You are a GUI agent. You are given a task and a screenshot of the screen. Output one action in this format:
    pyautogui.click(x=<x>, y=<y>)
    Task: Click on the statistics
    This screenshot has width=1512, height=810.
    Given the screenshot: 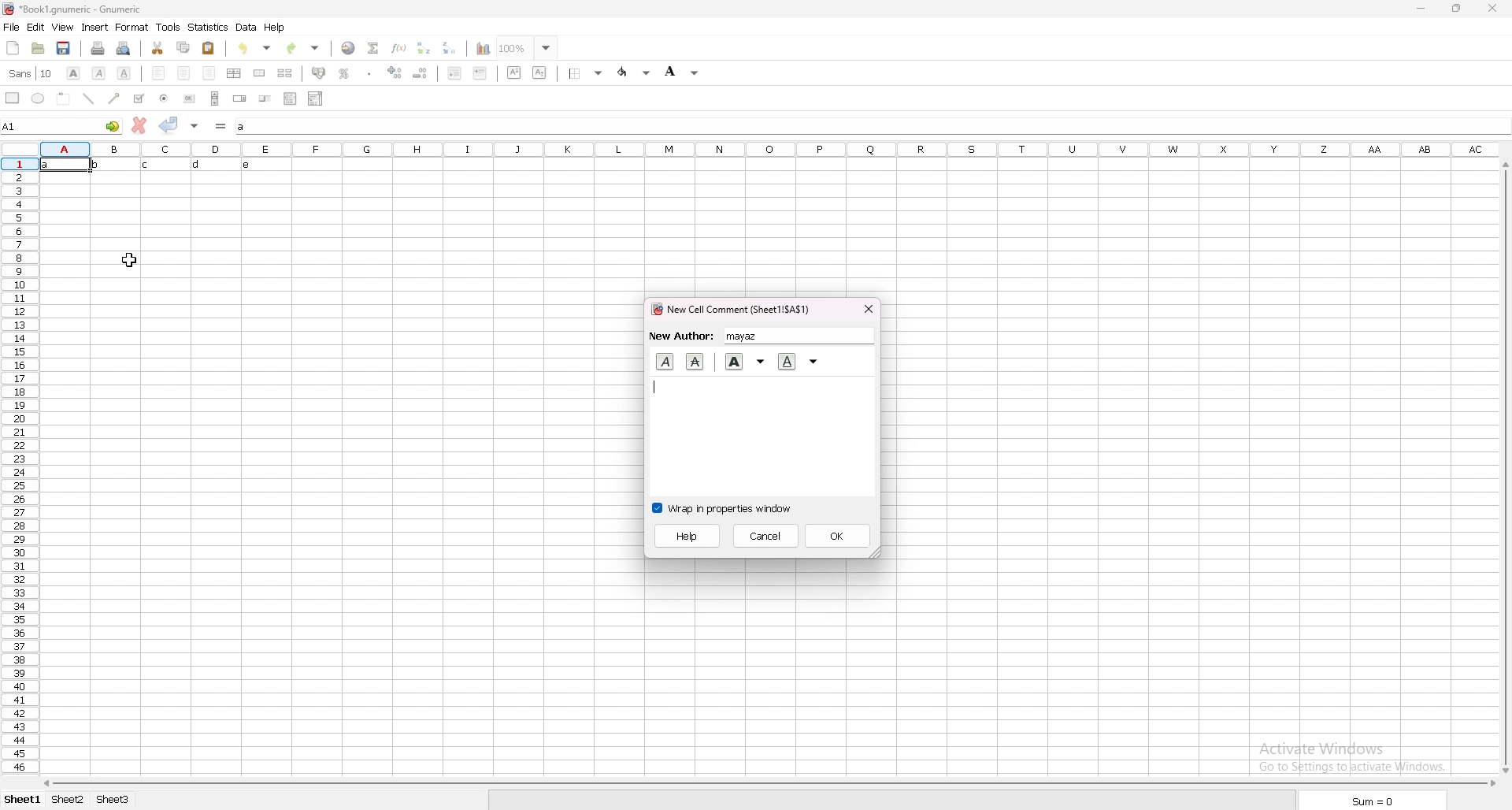 What is the action you would take?
    pyautogui.click(x=209, y=28)
    